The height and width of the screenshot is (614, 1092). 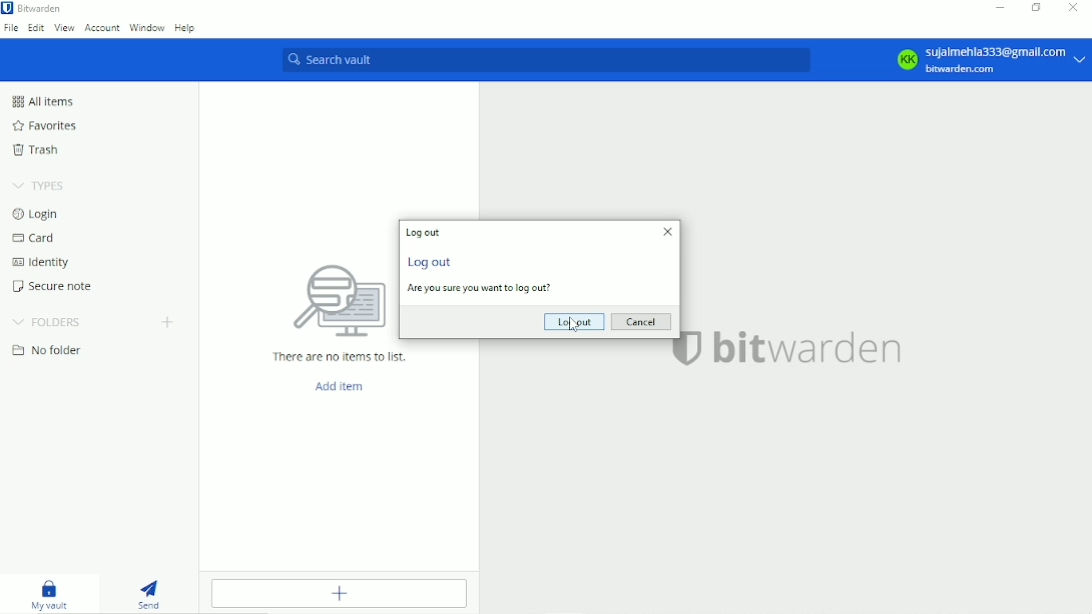 I want to click on Send, so click(x=148, y=593).